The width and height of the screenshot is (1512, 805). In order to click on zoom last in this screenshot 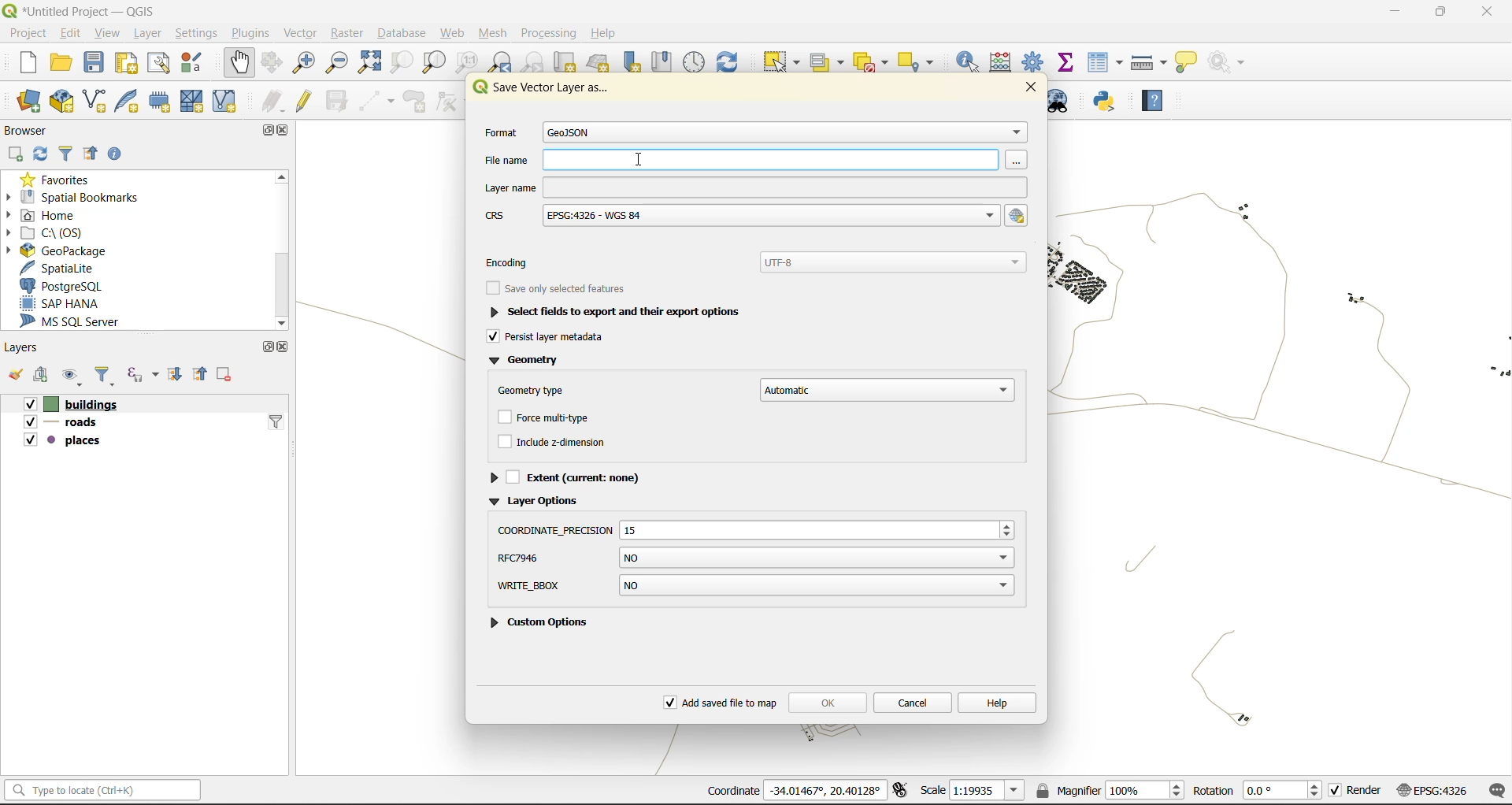, I will do `click(502, 61)`.